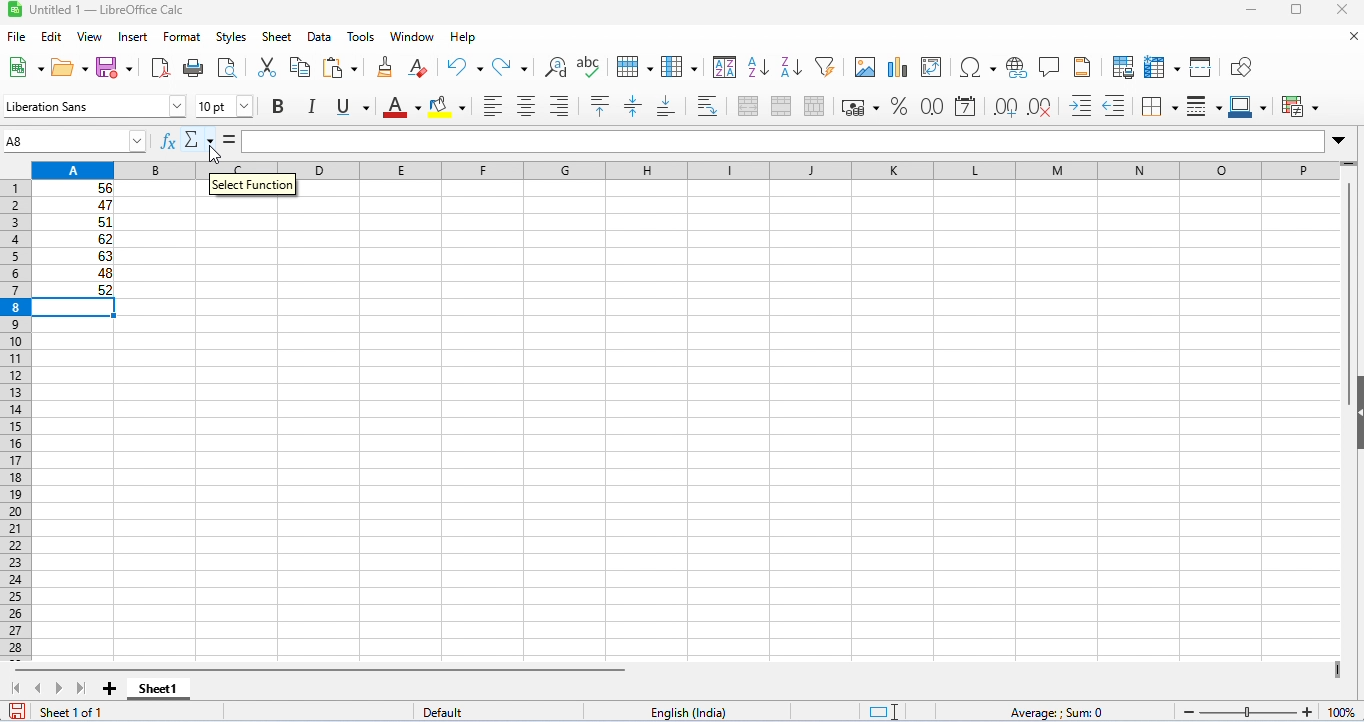  Describe the element at coordinates (253, 188) in the screenshot. I see `select function dialog box` at that location.